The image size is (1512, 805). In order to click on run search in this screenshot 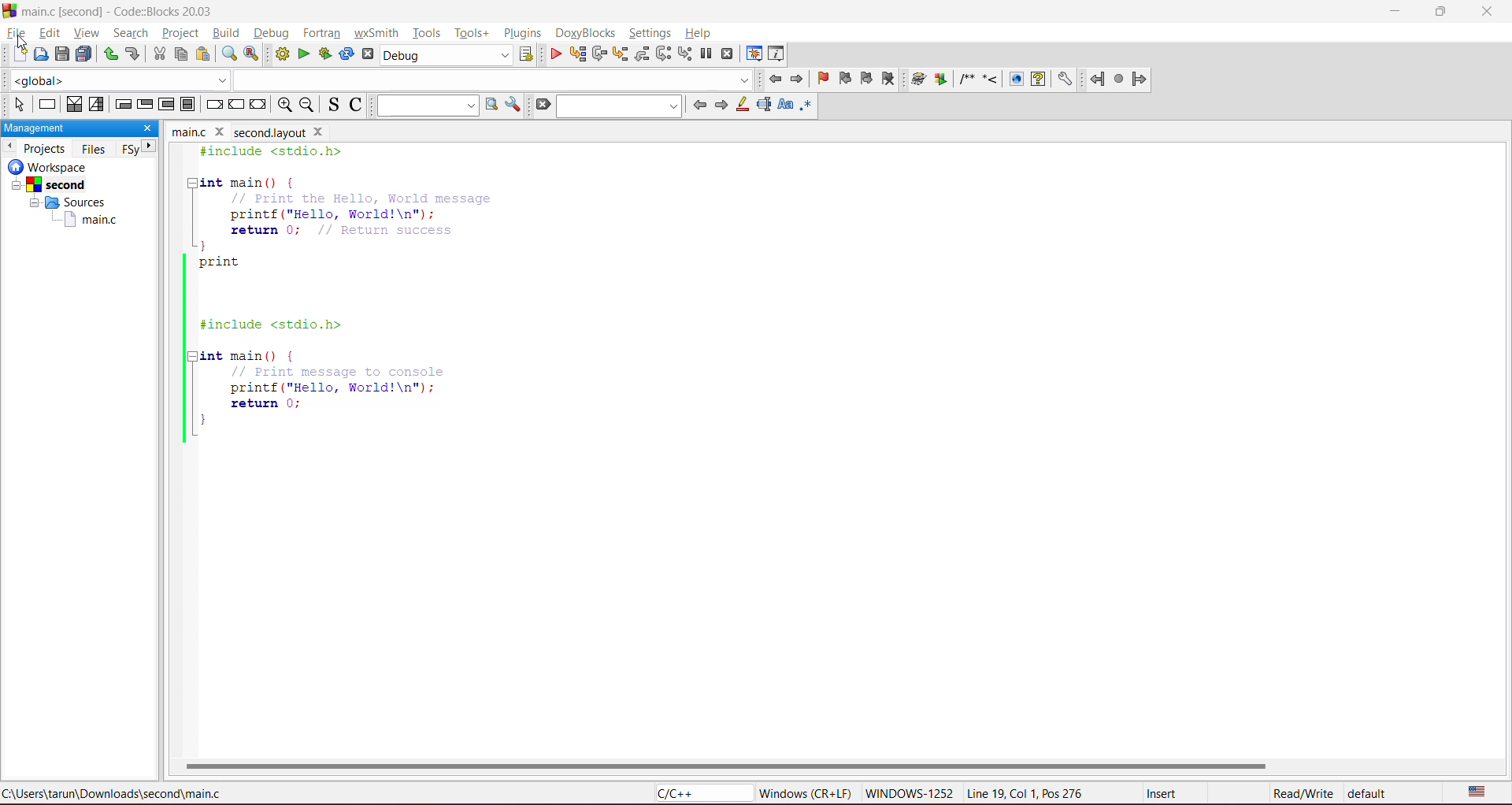, I will do `click(494, 106)`.